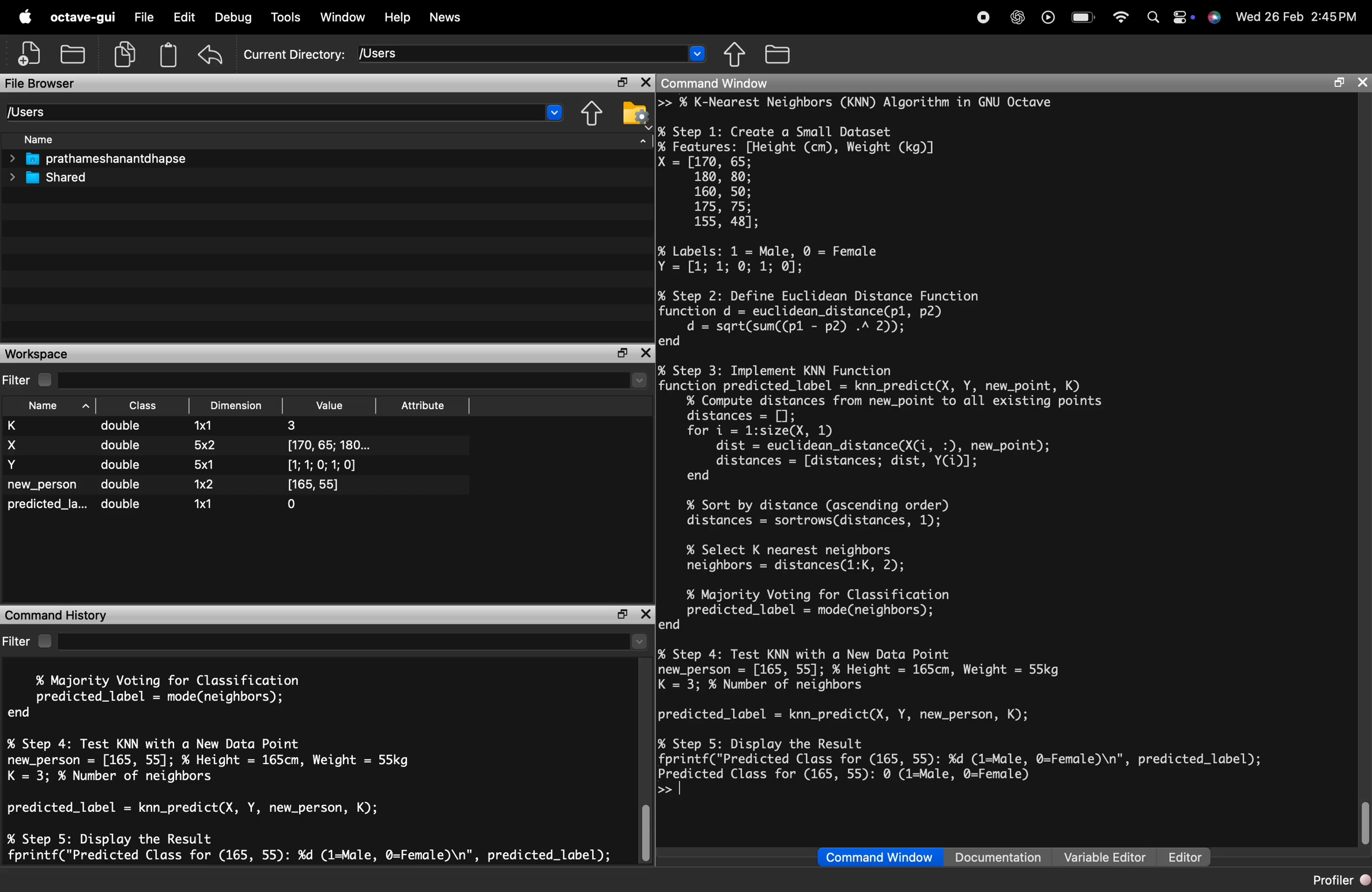  What do you see at coordinates (84, 17) in the screenshot?
I see `octave-gui` at bounding box center [84, 17].